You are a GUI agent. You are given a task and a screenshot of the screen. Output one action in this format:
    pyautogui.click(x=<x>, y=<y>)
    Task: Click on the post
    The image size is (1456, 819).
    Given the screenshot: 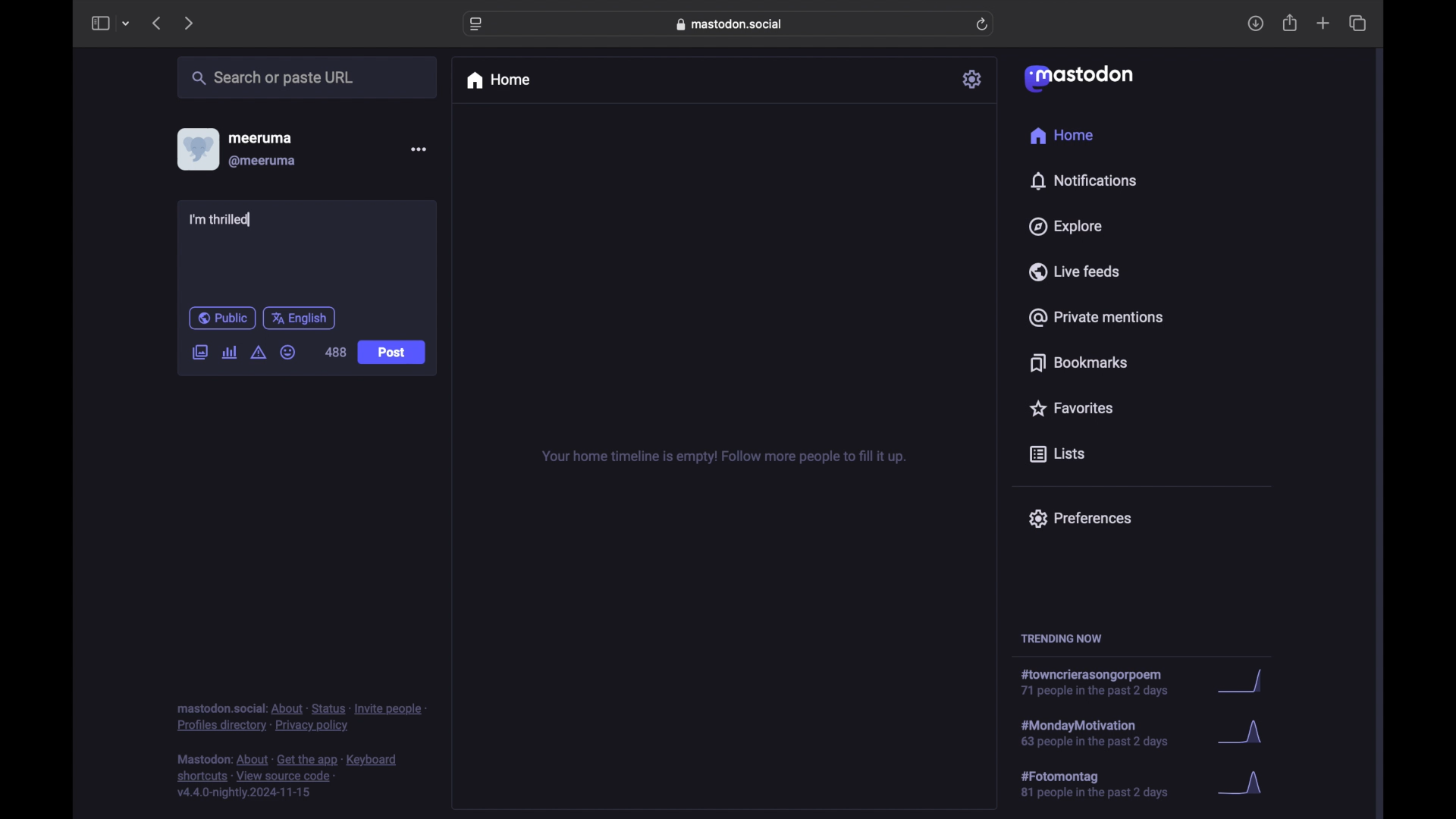 What is the action you would take?
    pyautogui.click(x=391, y=353)
    